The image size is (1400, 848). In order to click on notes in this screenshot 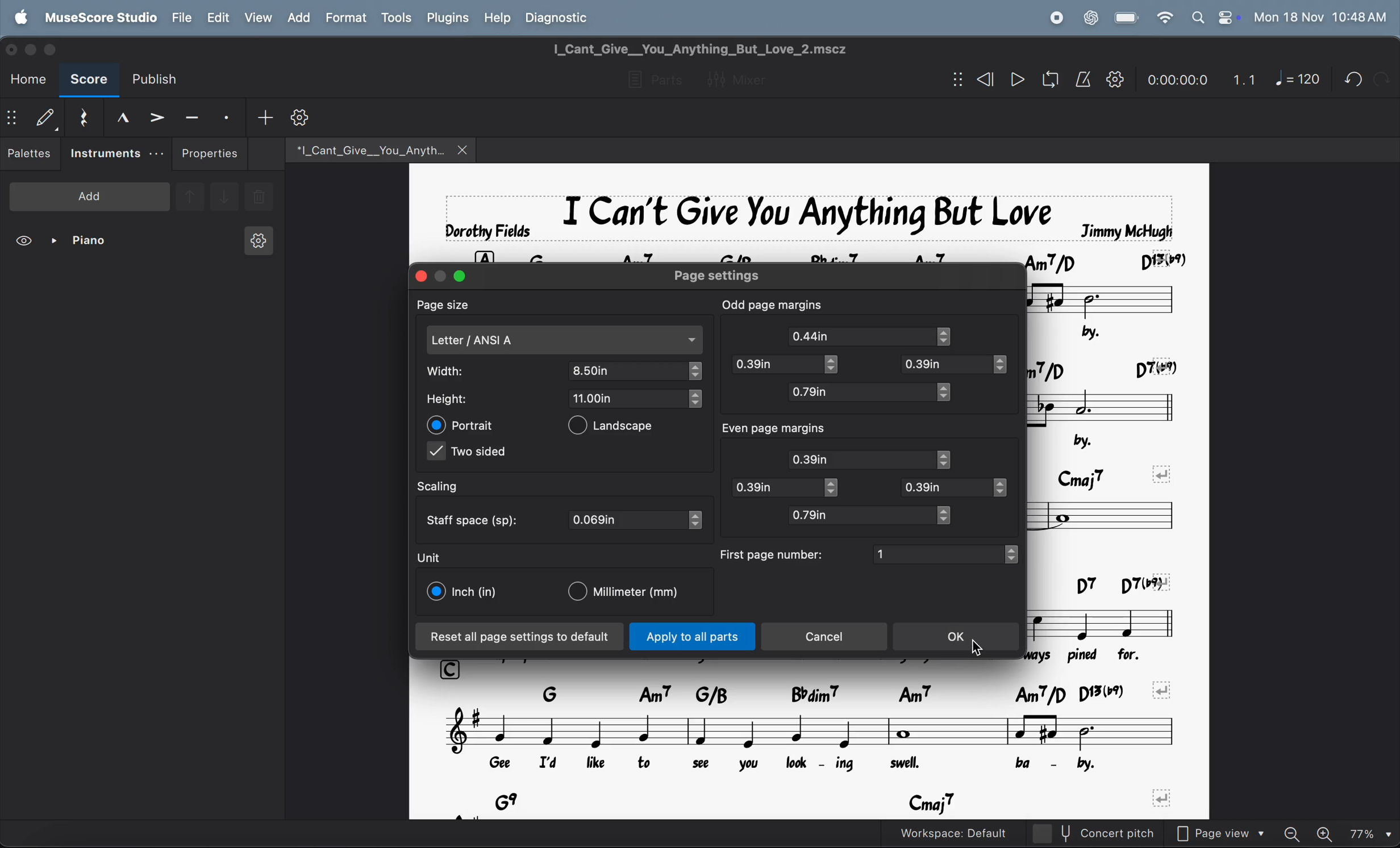, I will do `click(813, 730)`.